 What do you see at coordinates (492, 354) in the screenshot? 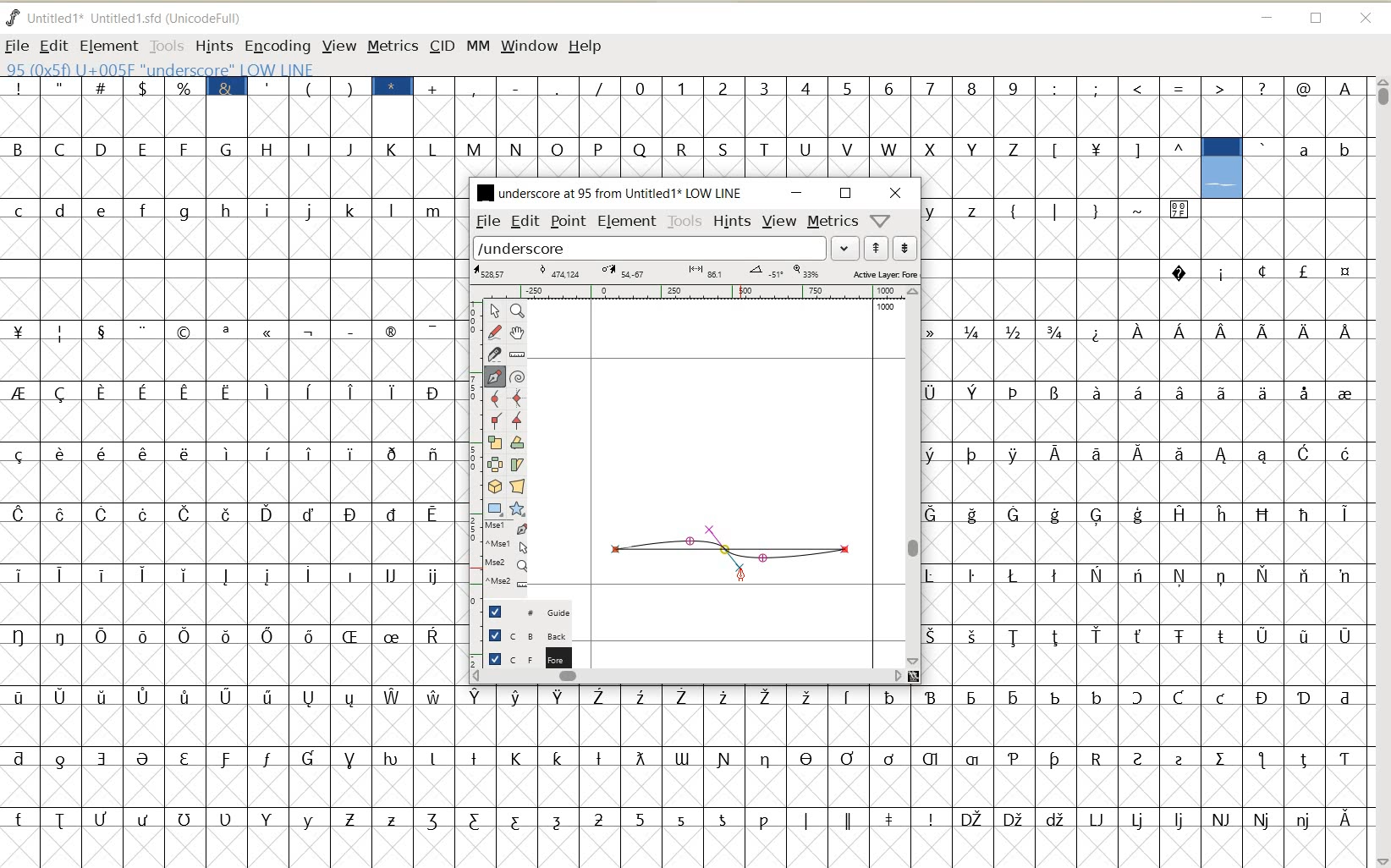
I see `cut splines in two` at bounding box center [492, 354].